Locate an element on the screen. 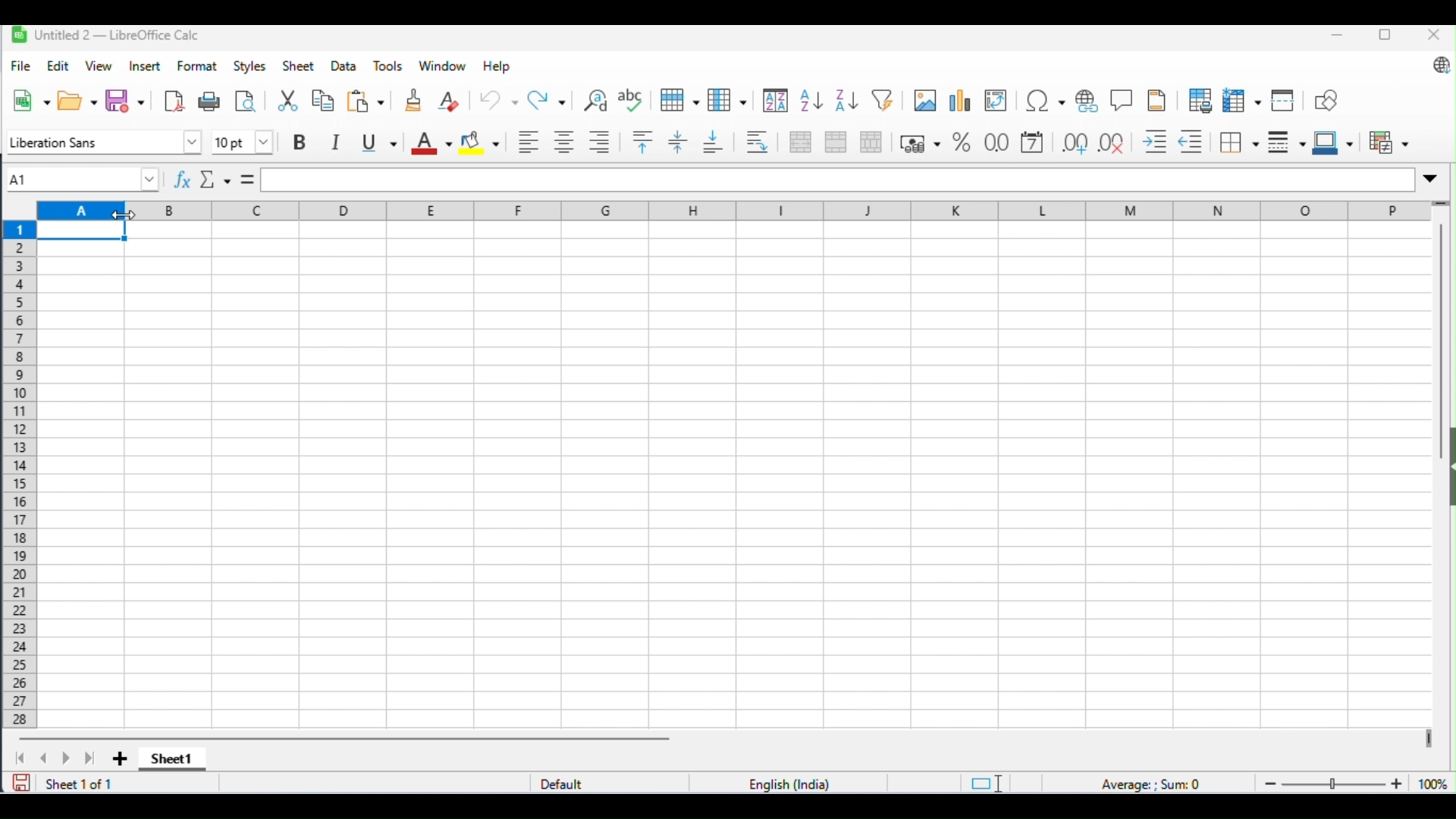 This screenshot has width=1456, height=819. background color is located at coordinates (481, 140).